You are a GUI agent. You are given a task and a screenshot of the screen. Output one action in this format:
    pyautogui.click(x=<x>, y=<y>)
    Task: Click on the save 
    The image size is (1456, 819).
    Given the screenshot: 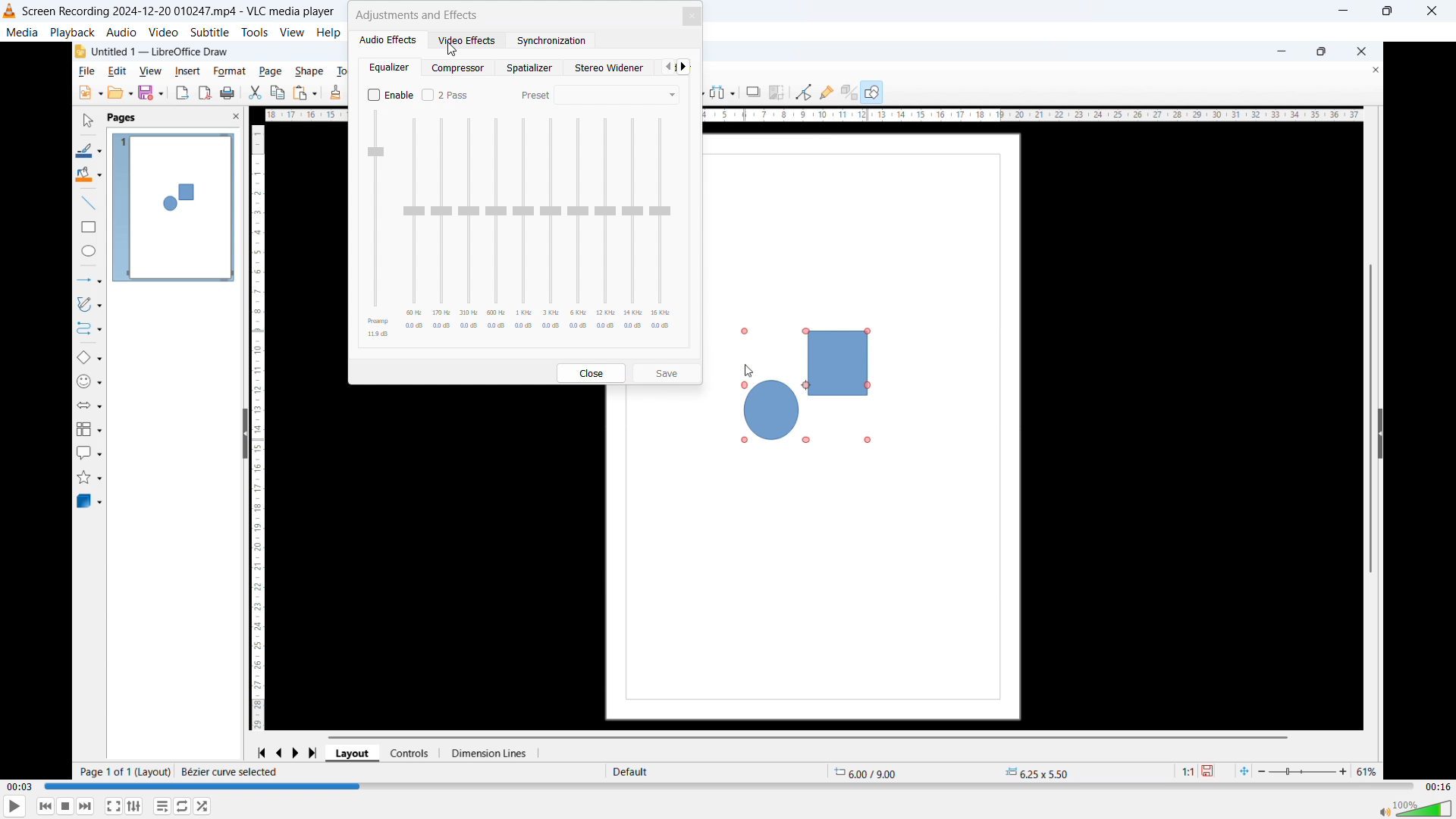 What is the action you would take?
    pyautogui.click(x=668, y=372)
    